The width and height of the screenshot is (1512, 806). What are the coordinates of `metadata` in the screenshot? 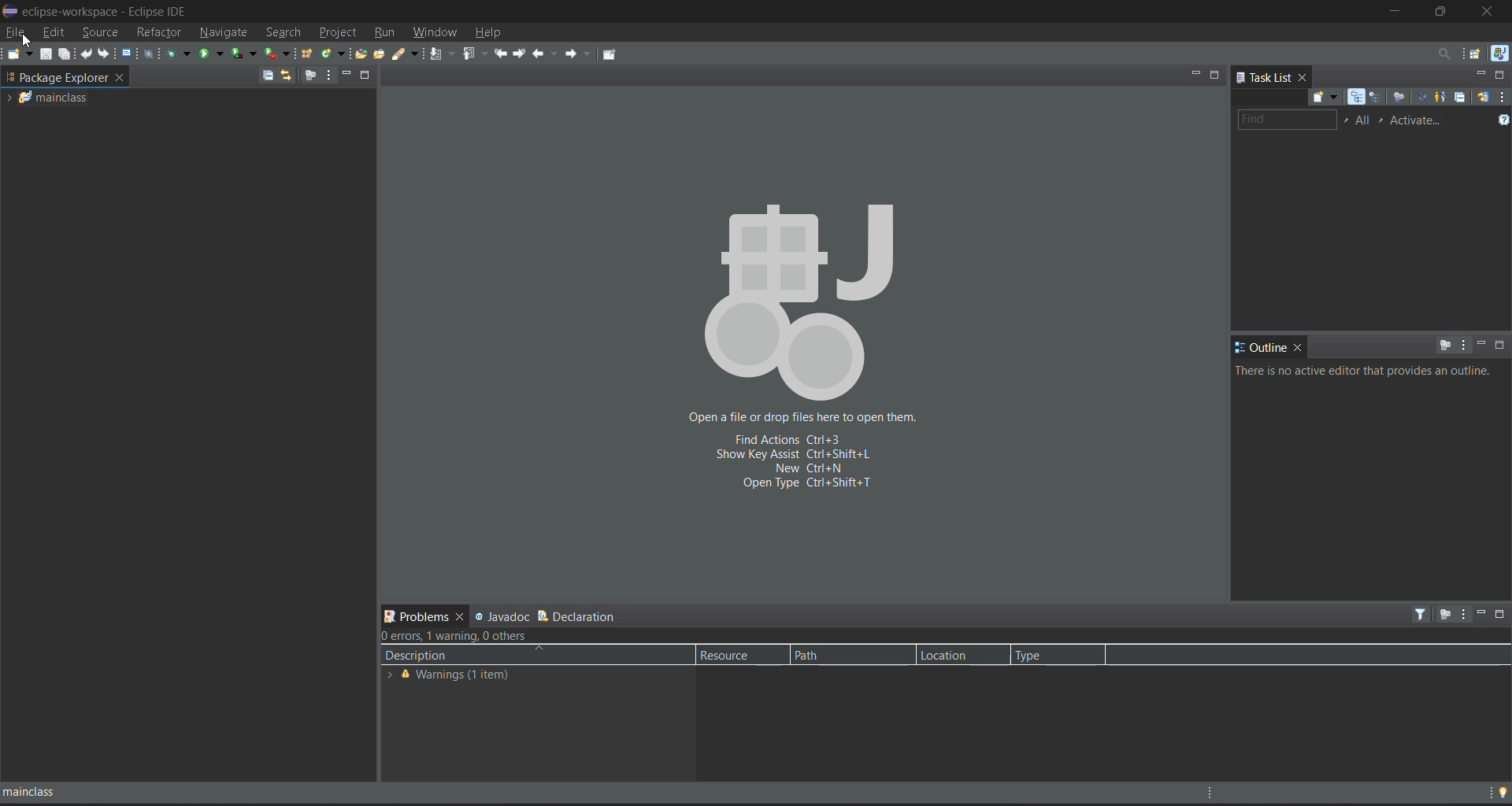 It's located at (470, 637).